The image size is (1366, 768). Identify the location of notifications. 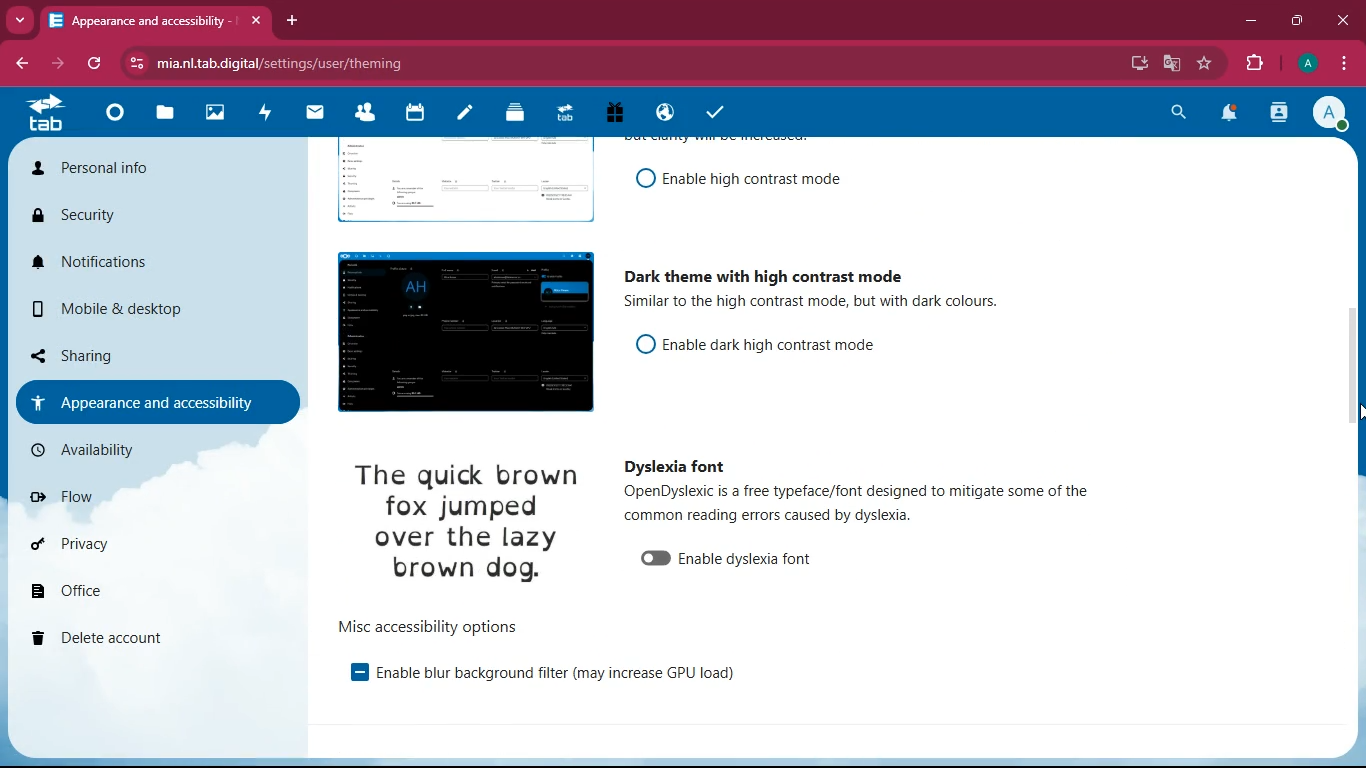
(140, 267).